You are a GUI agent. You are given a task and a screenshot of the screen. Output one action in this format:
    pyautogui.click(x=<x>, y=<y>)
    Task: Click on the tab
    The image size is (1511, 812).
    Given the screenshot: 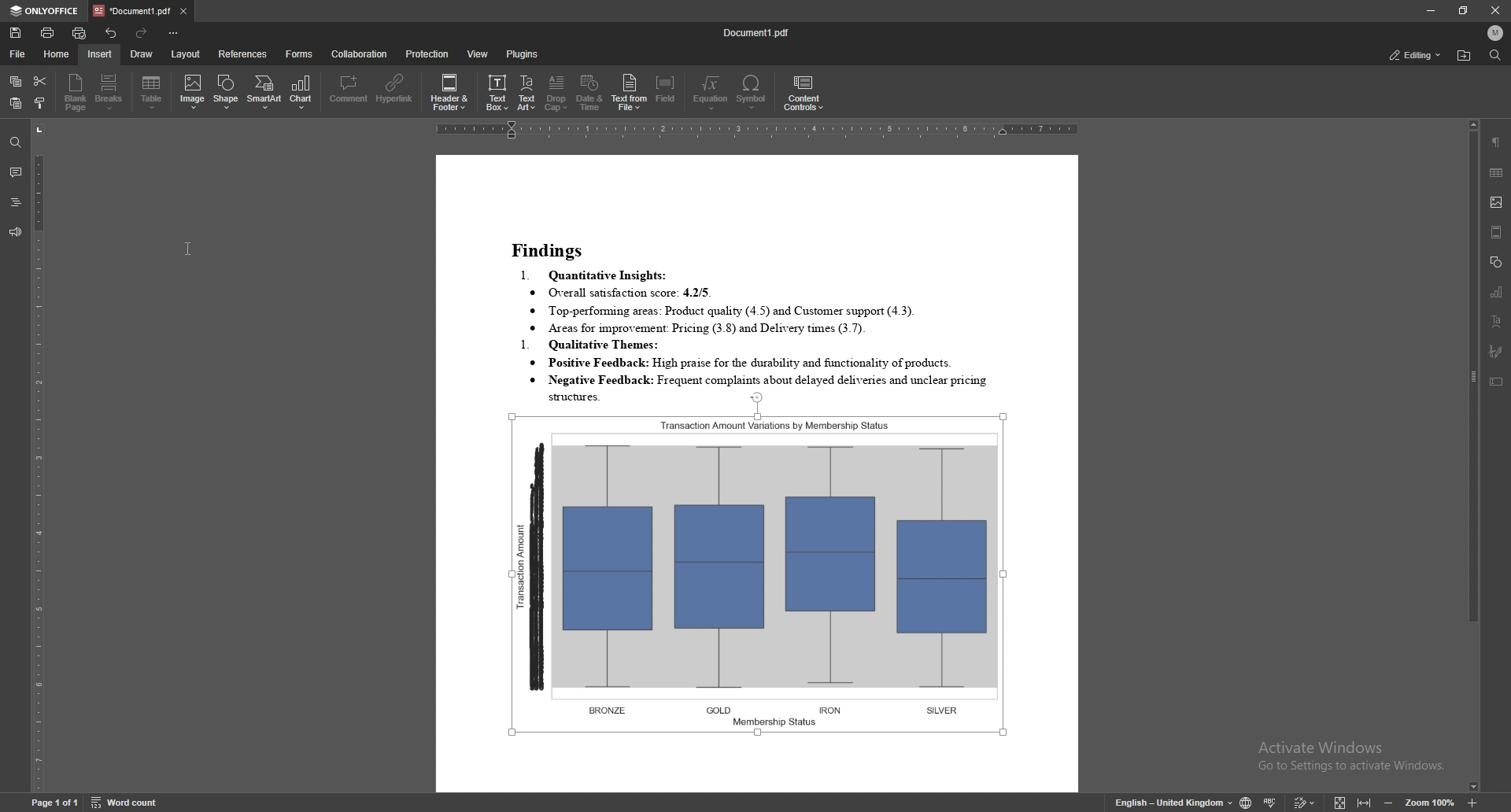 What is the action you would take?
    pyautogui.click(x=131, y=10)
    